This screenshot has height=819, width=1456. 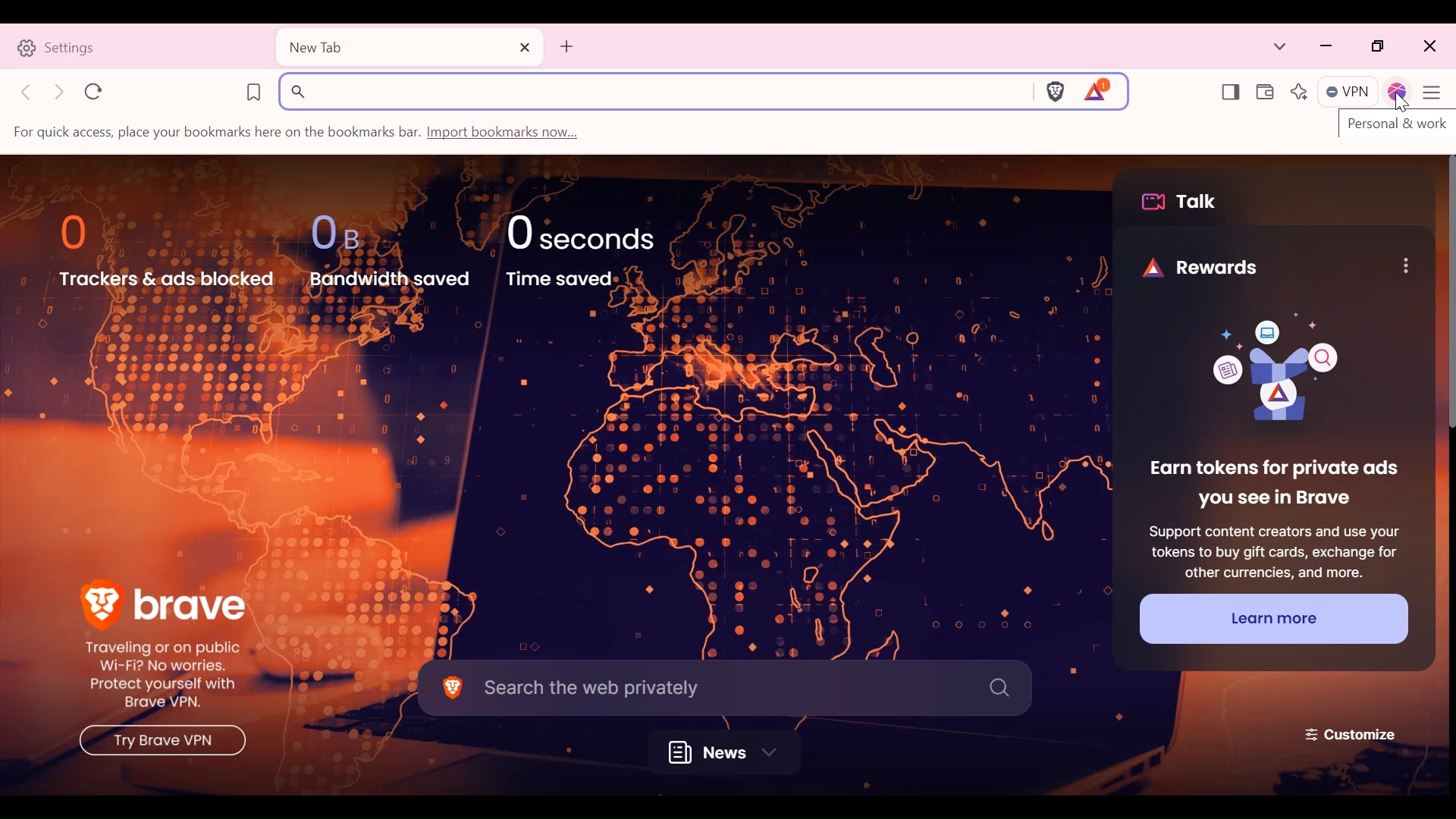 What do you see at coordinates (1398, 93) in the screenshot?
I see `Profiles` at bounding box center [1398, 93].